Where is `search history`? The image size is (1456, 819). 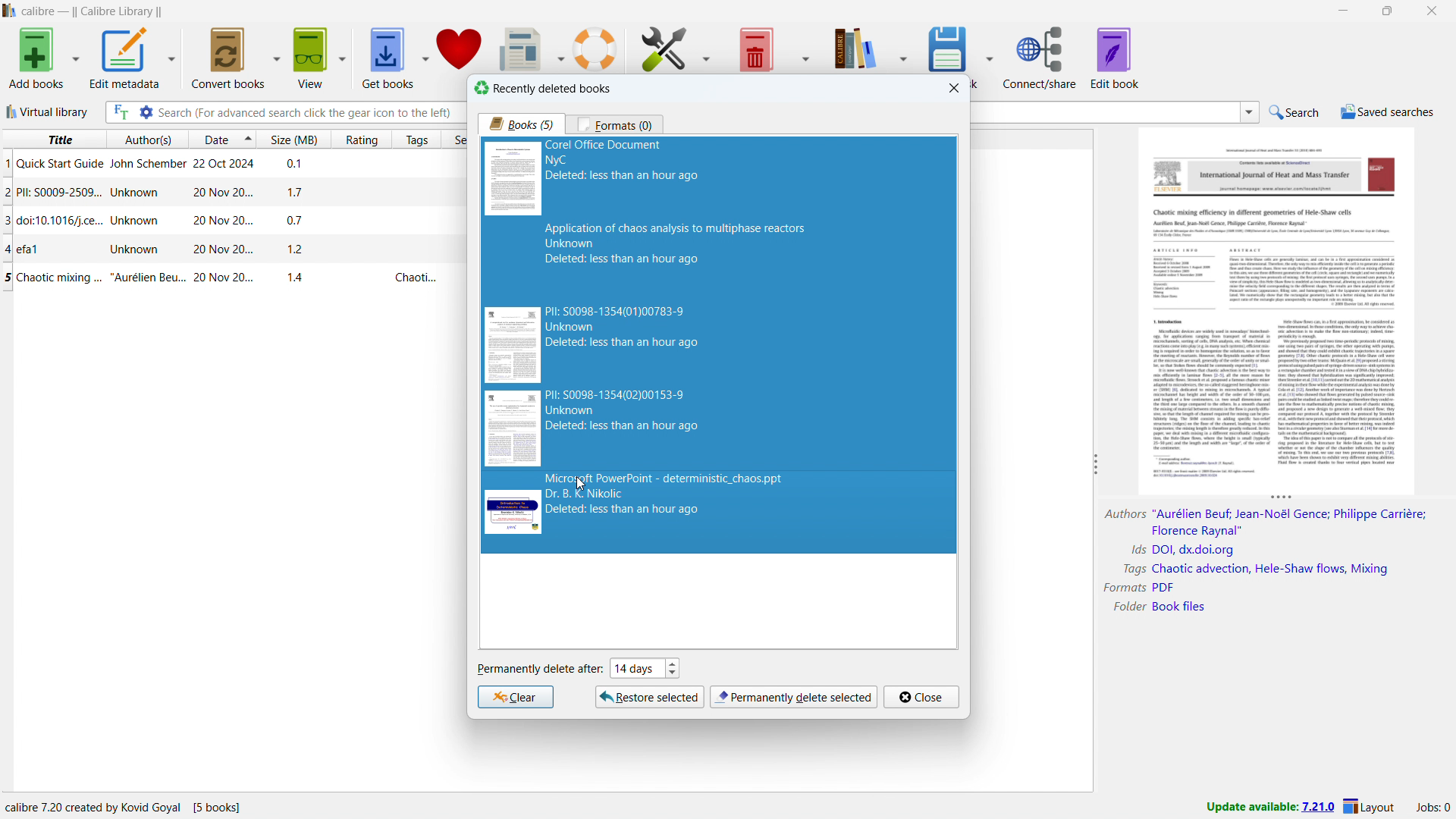
search history is located at coordinates (1250, 113).